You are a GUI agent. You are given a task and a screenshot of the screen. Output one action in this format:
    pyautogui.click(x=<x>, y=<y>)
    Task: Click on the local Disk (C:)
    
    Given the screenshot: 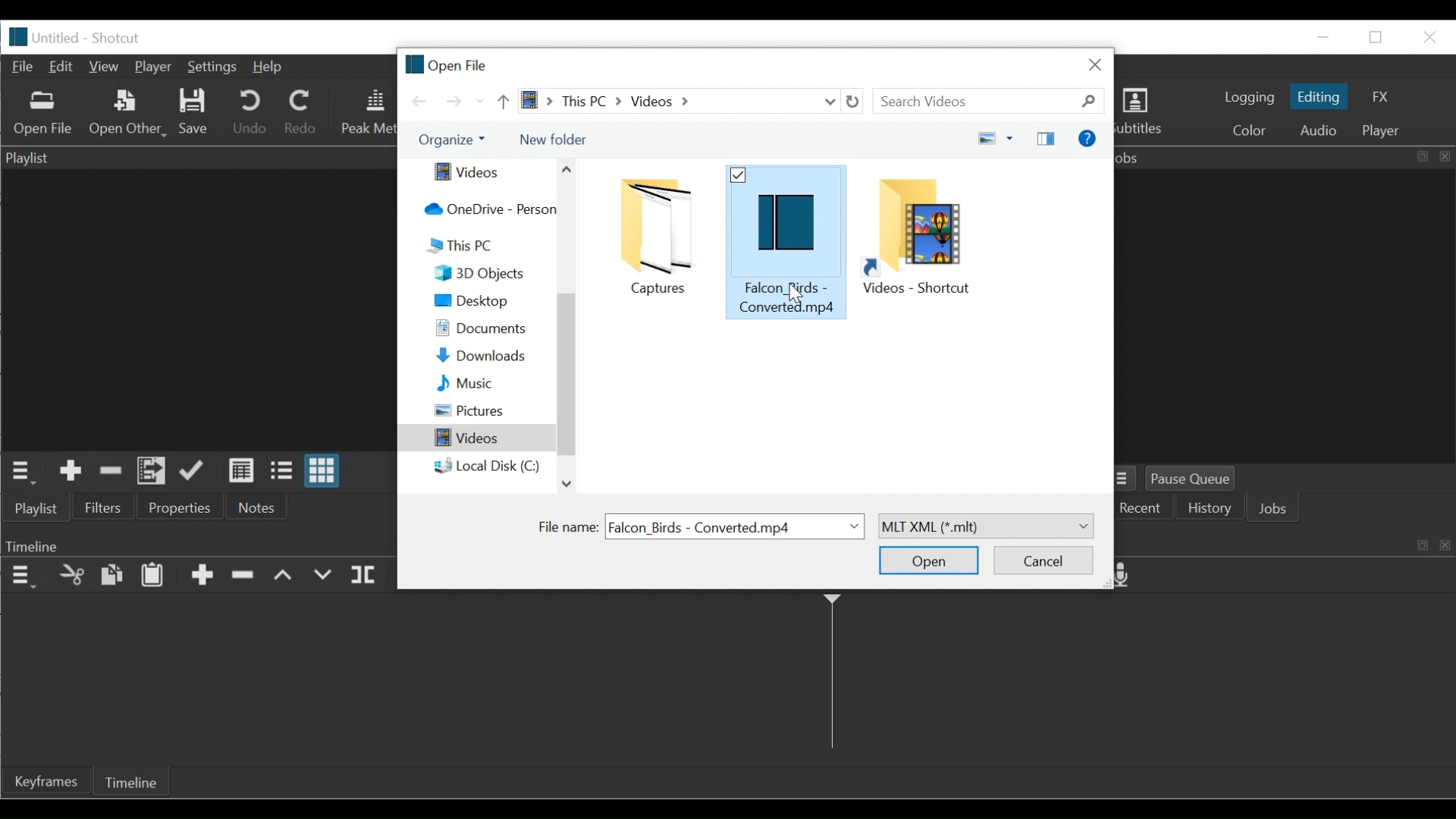 What is the action you would take?
    pyautogui.click(x=488, y=466)
    